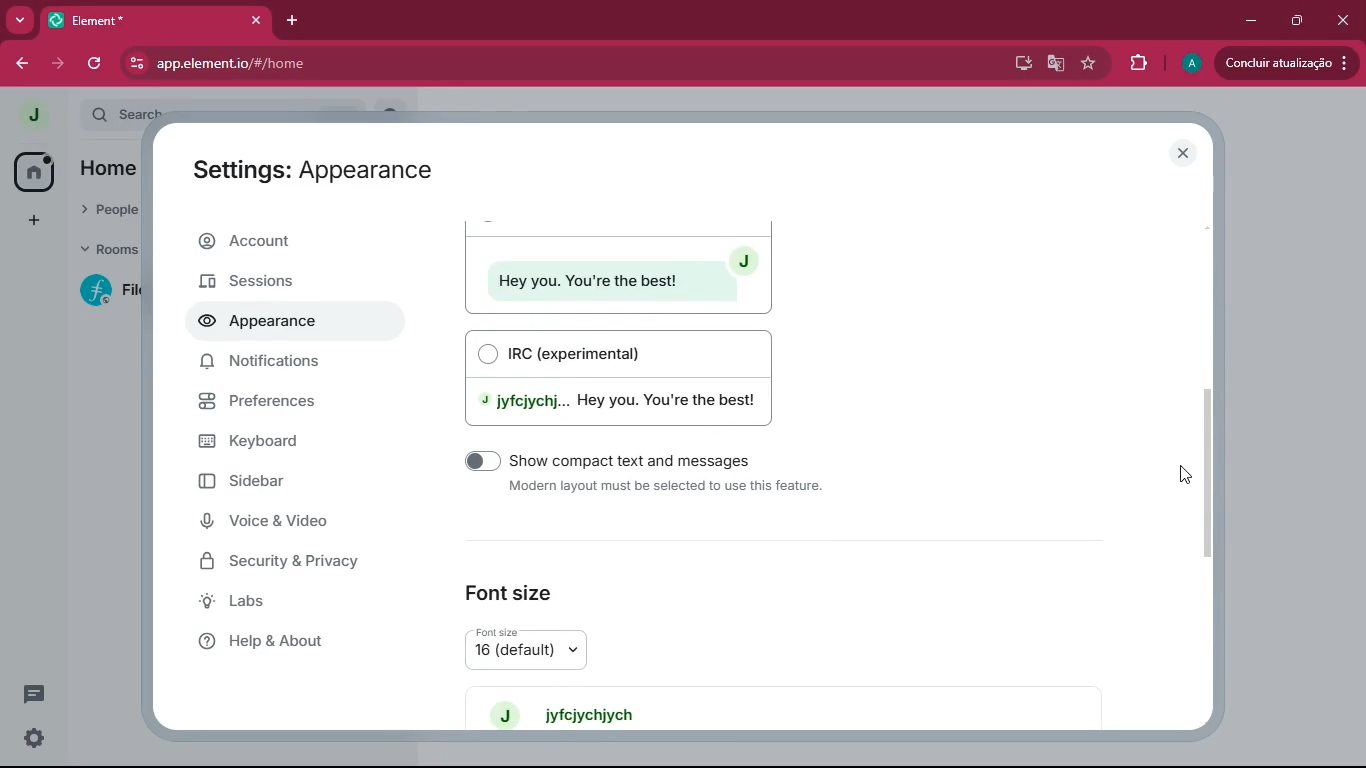  I want to click on help, so click(289, 640).